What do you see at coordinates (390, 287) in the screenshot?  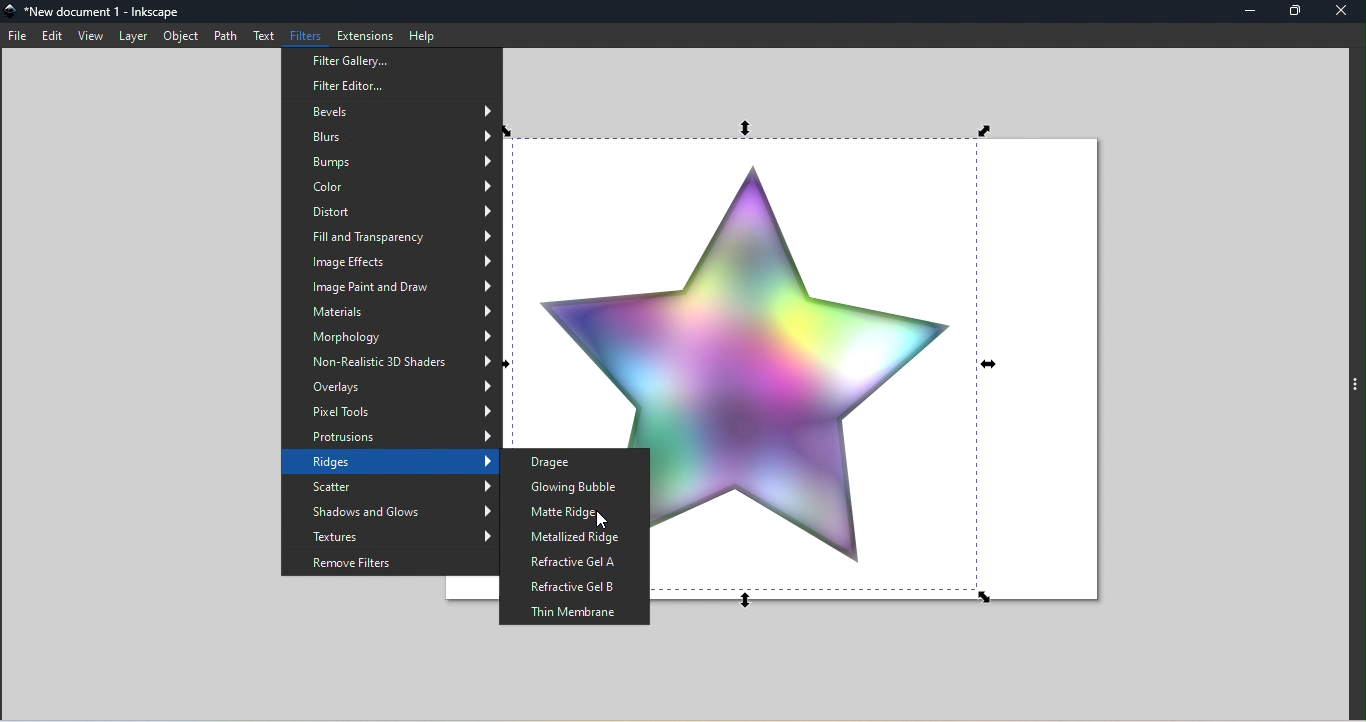 I see `Image Print and Draw` at bounding box center [390, 287].